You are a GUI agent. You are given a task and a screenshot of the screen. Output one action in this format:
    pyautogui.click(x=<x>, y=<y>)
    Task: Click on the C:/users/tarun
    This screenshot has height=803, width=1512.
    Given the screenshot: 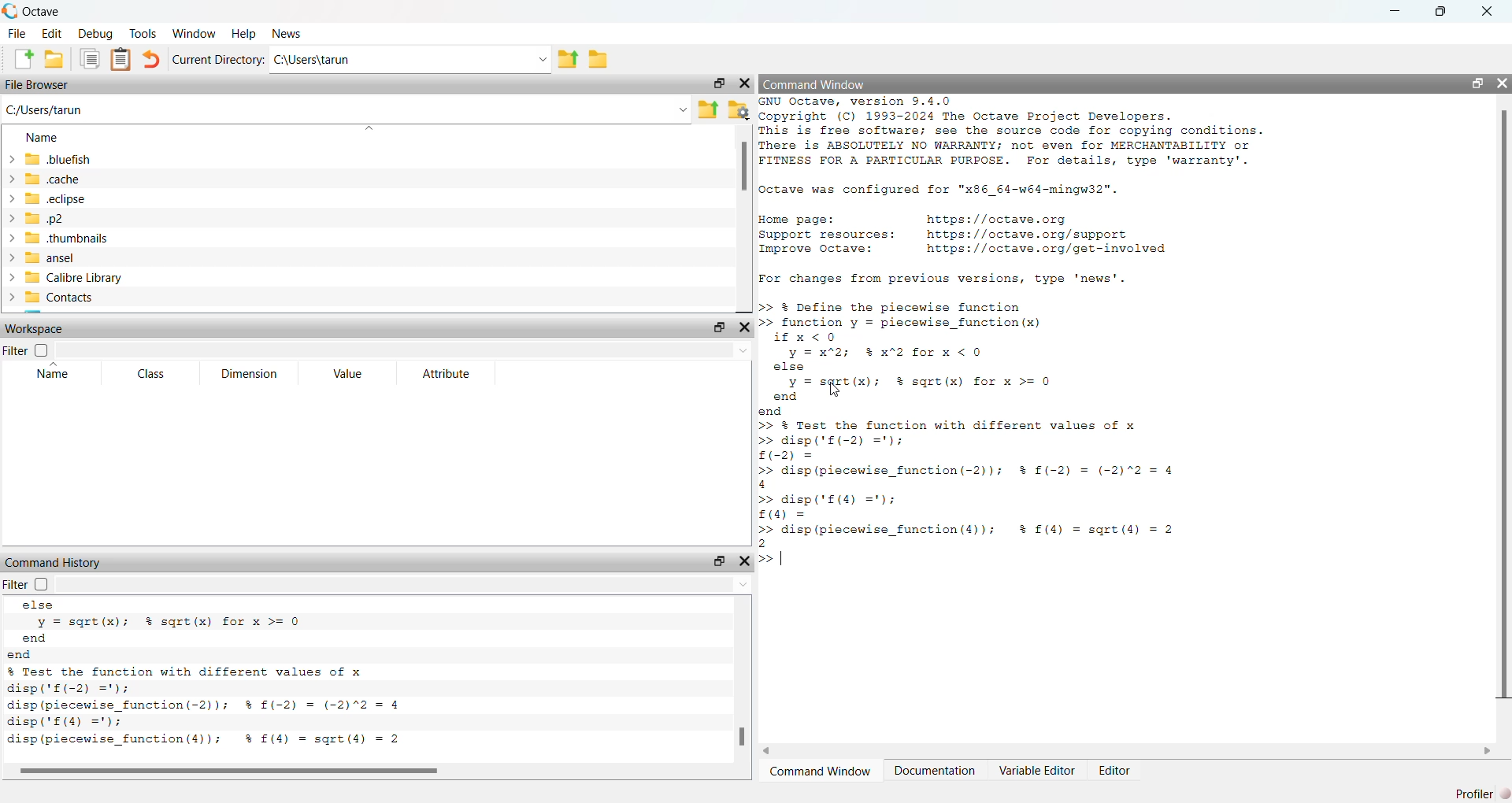 What is the action you would take?
    pyautogui.click(x=410, y=60)
    